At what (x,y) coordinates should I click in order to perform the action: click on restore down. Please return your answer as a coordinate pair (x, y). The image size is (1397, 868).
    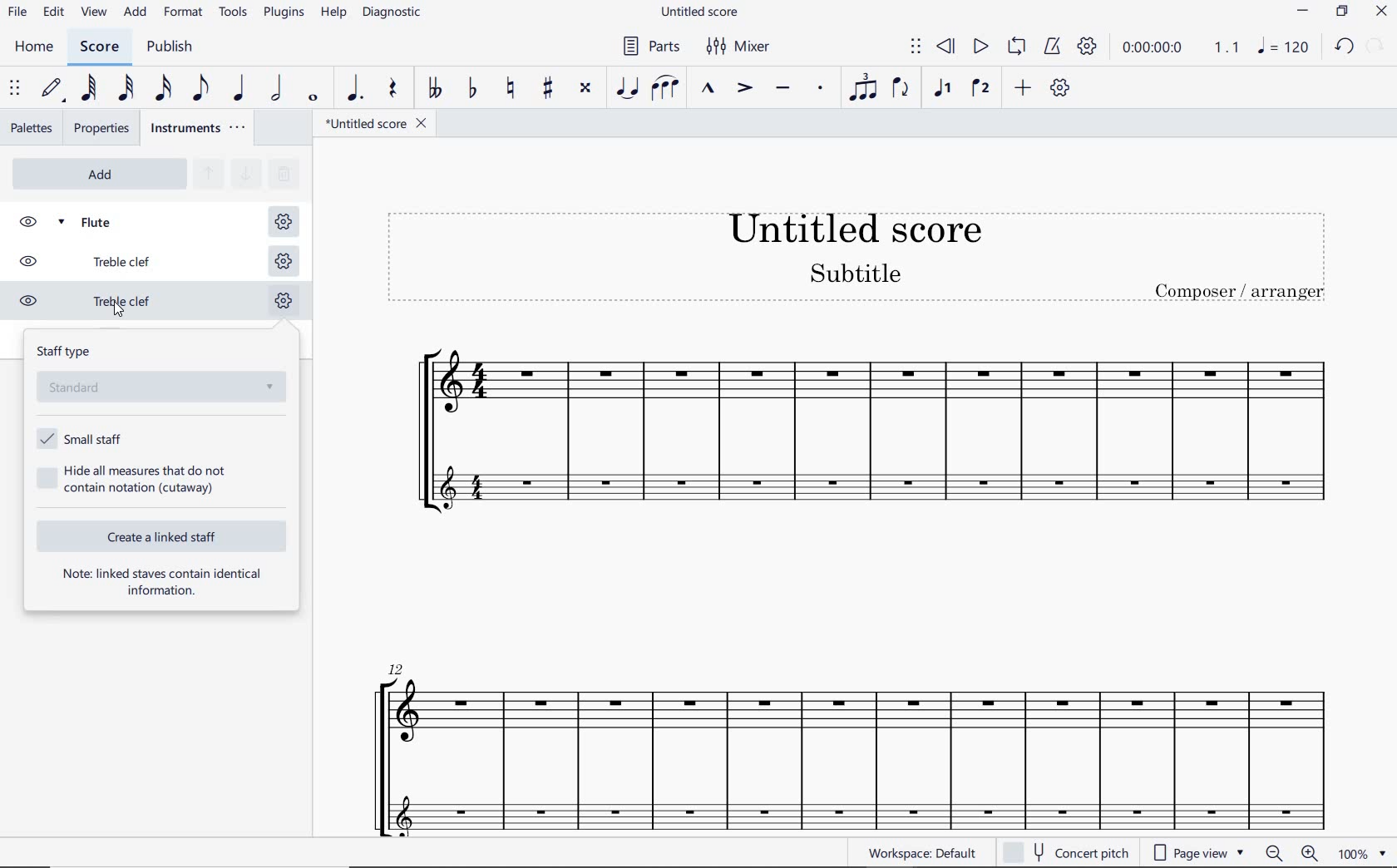
    Looking at the image, I should click on (1341, 12).